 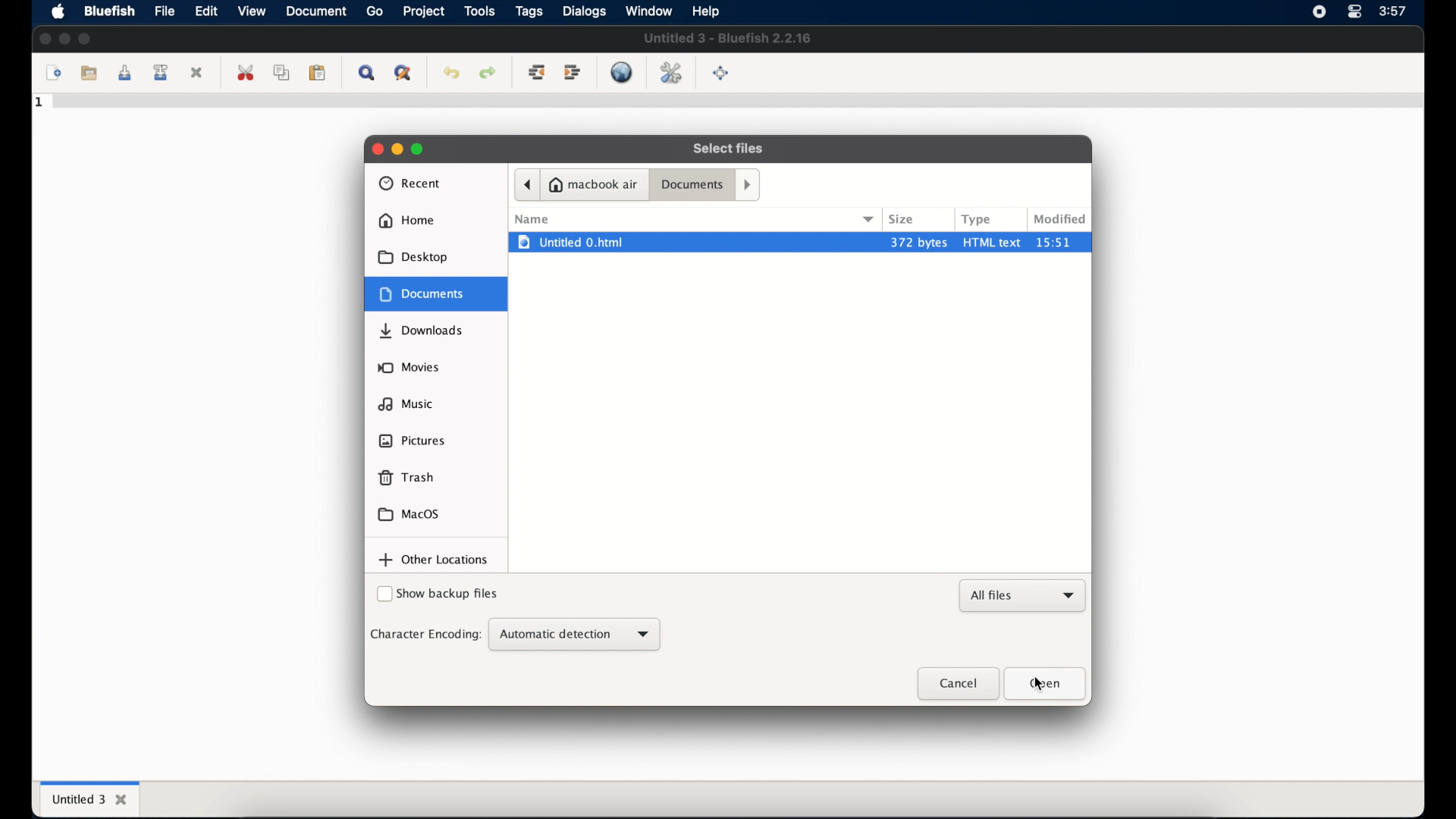 What do you see at coordinates (44, 39) in the screenshot?
I see `close` at bounding box center [44, 39].